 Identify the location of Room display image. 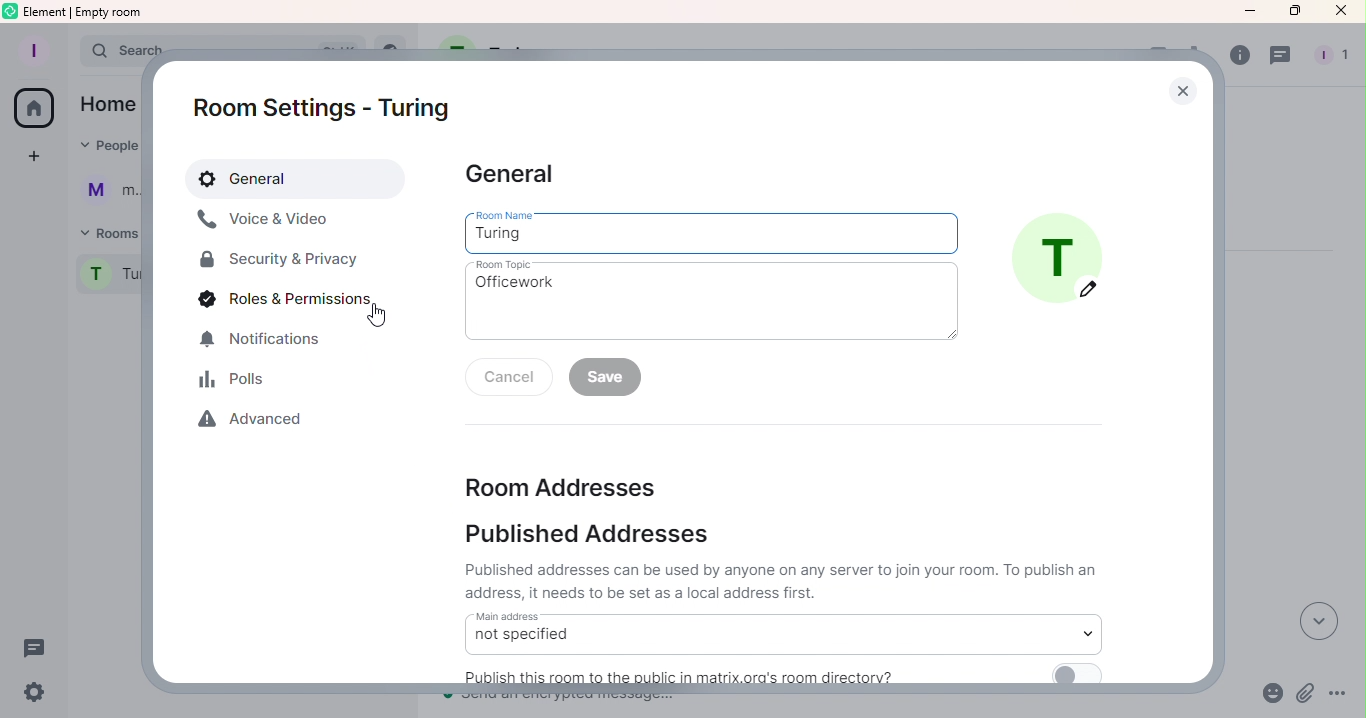
(1060, 258).